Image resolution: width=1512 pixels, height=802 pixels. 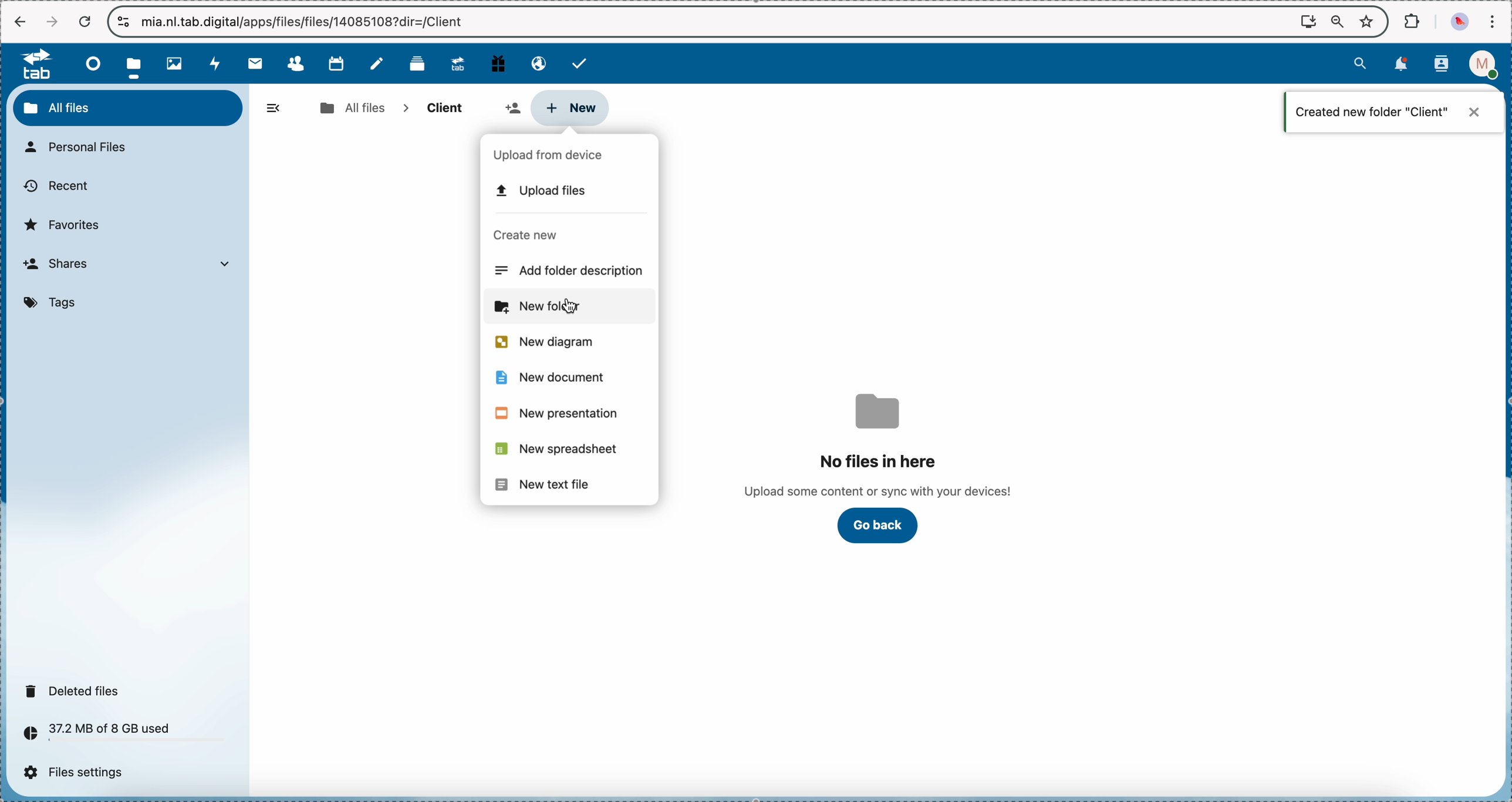 What do you see at coordinates (379, 64) in the screenshot?
I see `notes` at bounding box center [379, 64].